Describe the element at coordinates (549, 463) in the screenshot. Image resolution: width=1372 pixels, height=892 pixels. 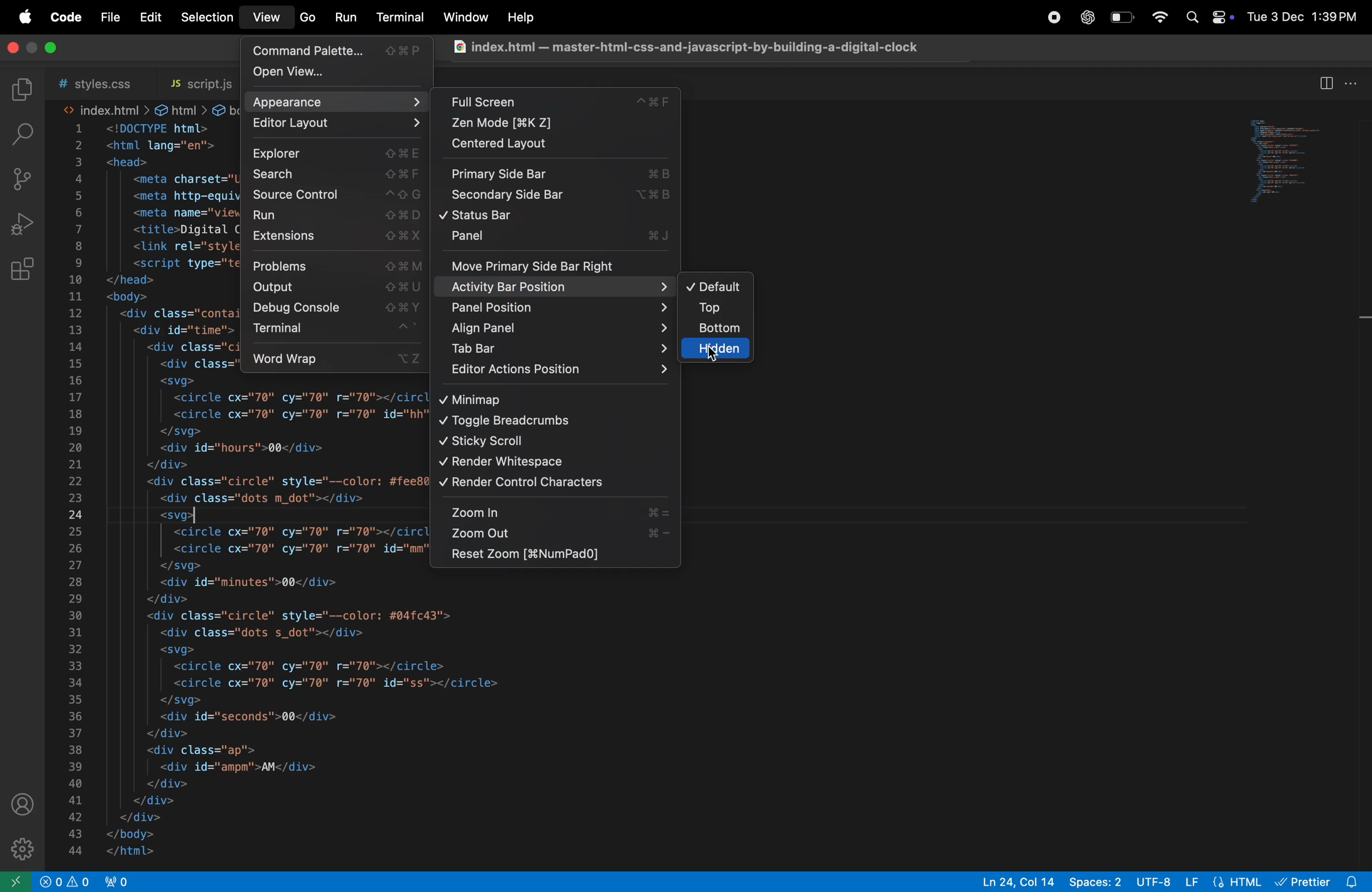
I see `render white space` at that location.